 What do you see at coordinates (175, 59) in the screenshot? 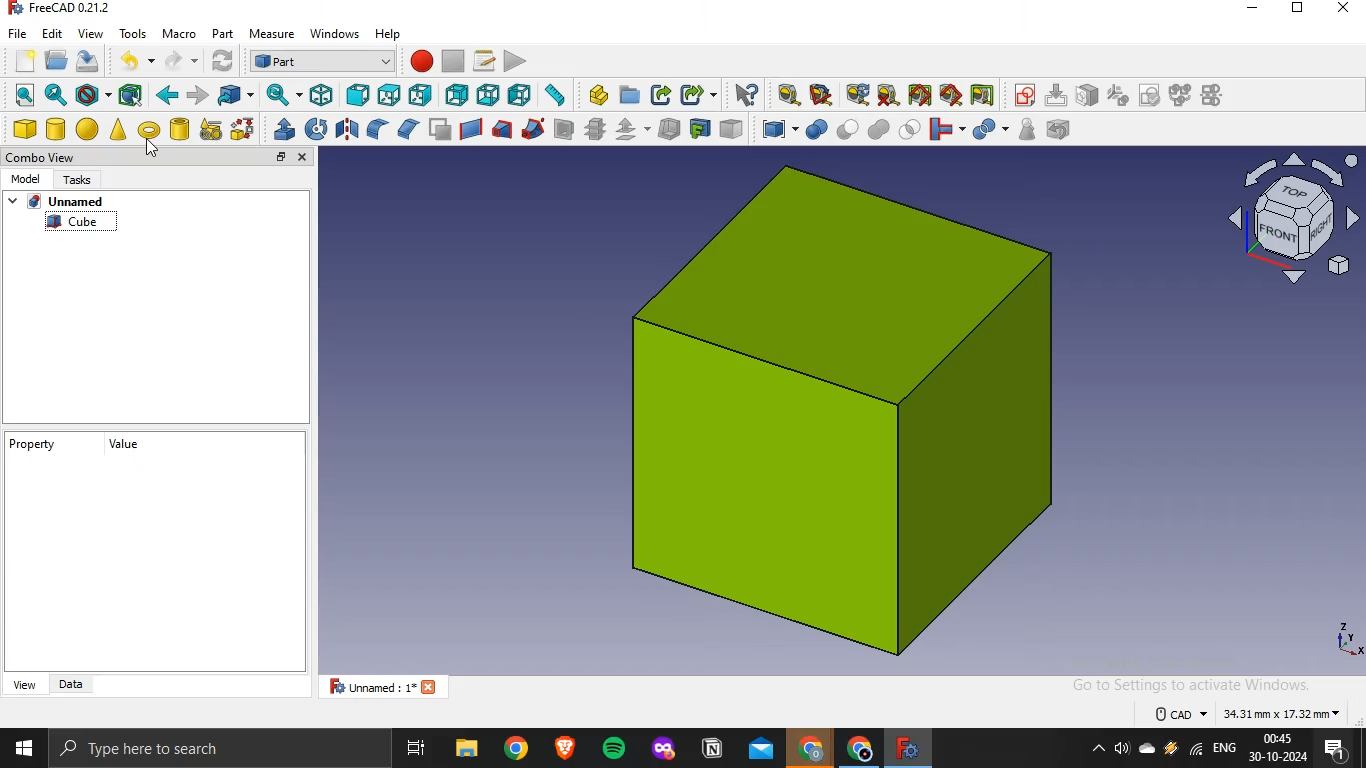
I see `redo` at bounding box center [175, 59].